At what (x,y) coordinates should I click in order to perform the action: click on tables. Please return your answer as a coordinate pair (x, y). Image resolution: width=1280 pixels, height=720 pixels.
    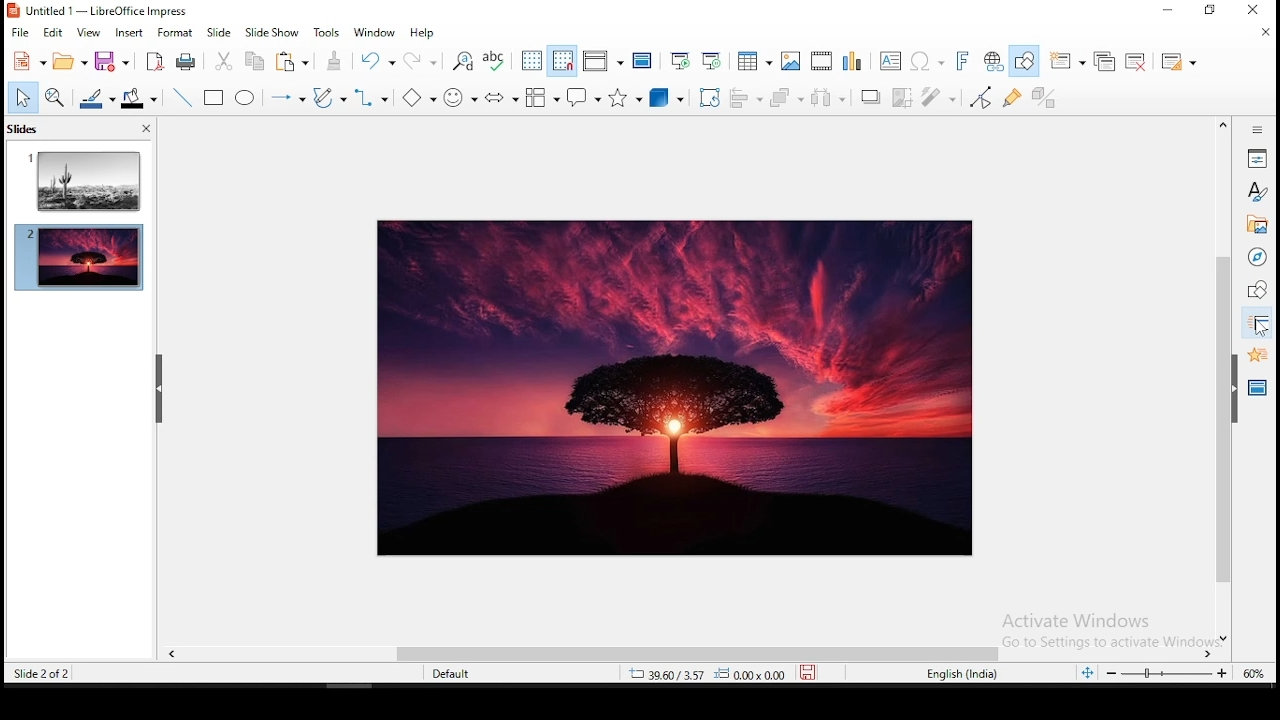
    Looking at the image, I should click on (755, 59).